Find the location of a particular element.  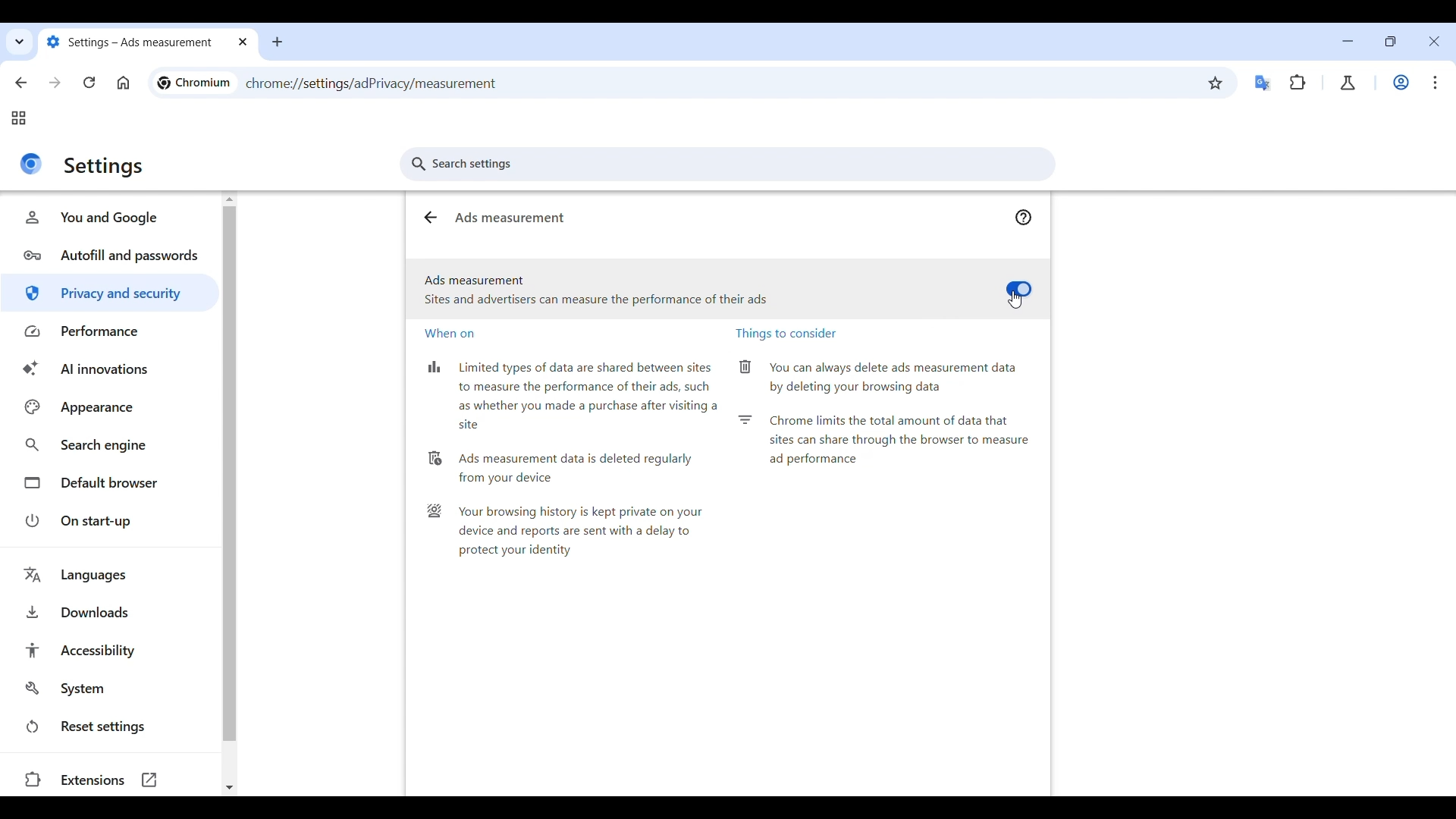

You can always delete ads measurement data
by deleting your browsing data is located at coordinates (880, 378).